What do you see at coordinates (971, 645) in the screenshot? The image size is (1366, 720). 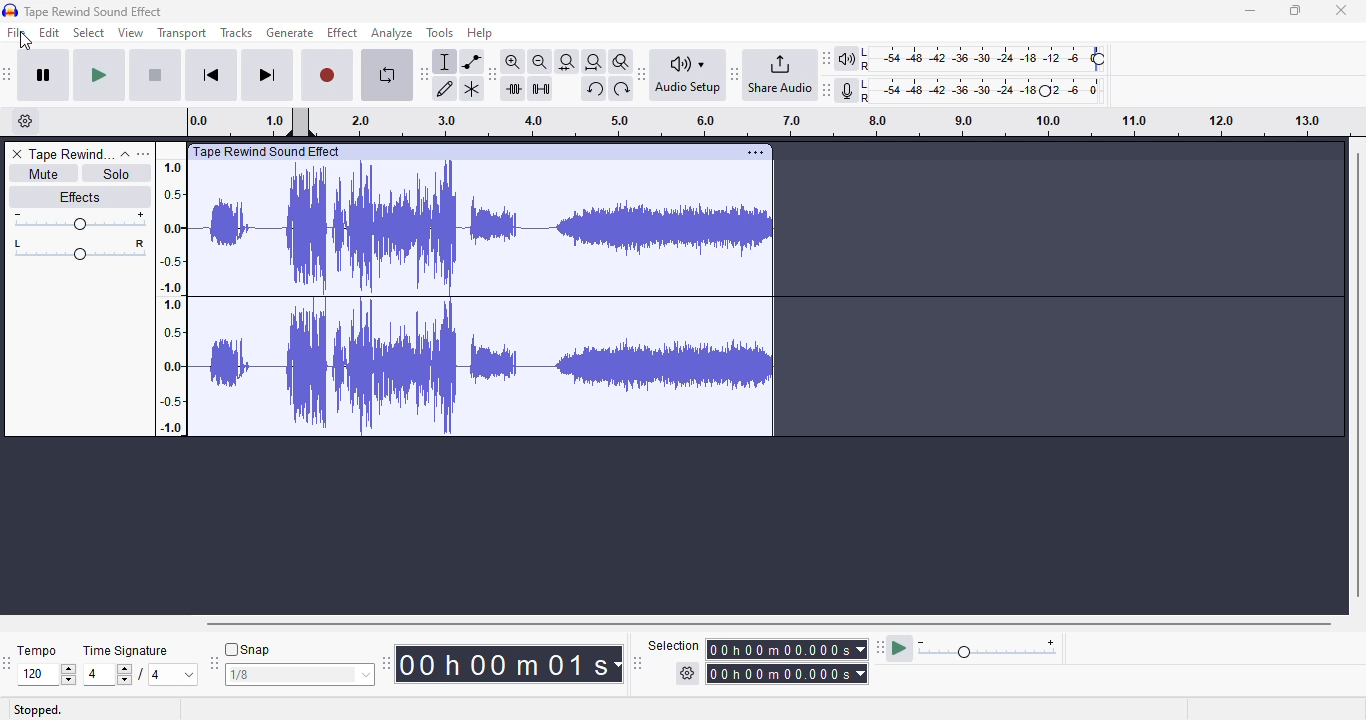 I see `audacity play-at-speed toolbar` at bounding box center [971, 645].